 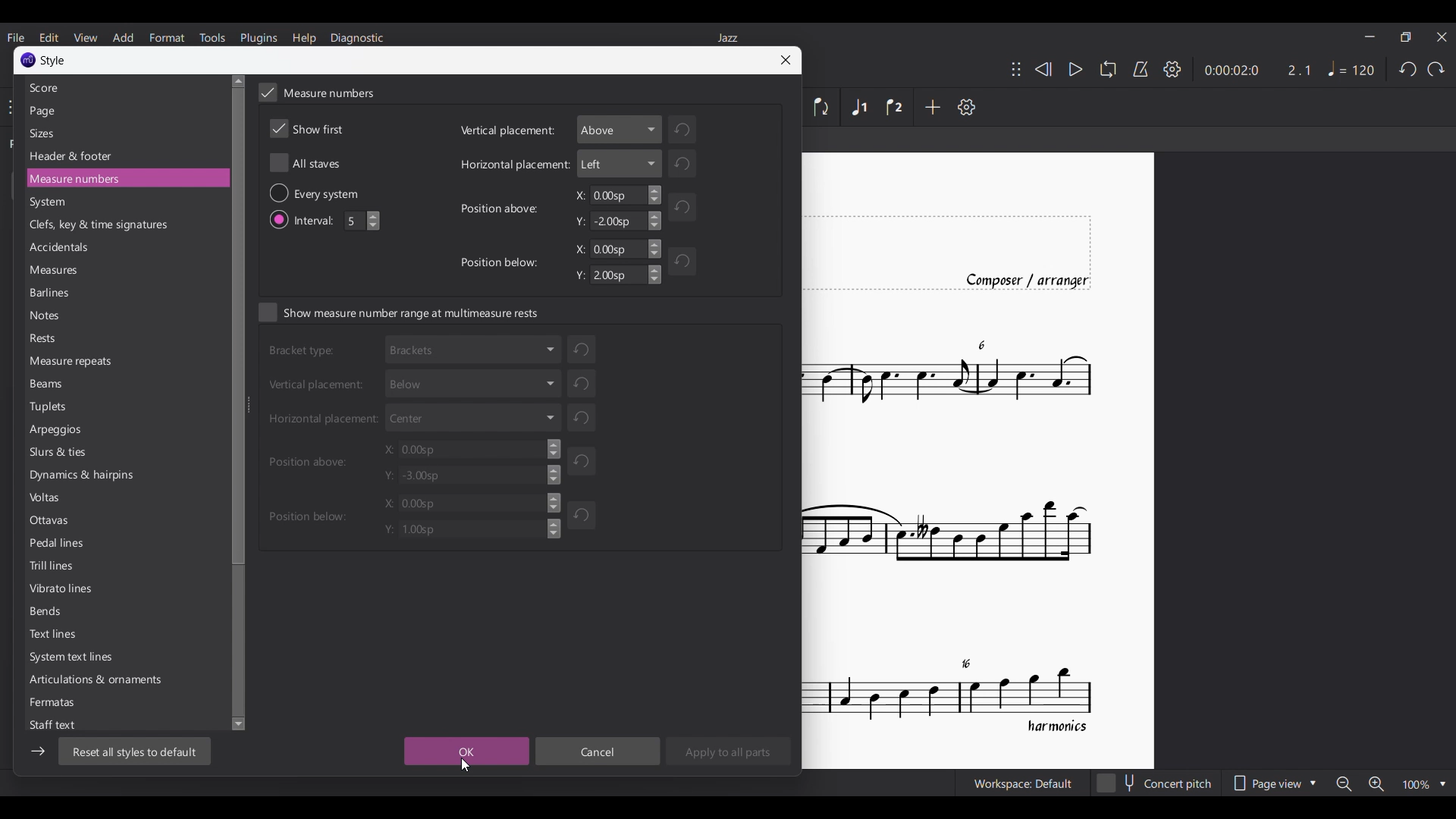 What do you see at coordinates (239, 400) in the screenshot?
I see `Vertical slide bar` at bounding box center [239, 400].